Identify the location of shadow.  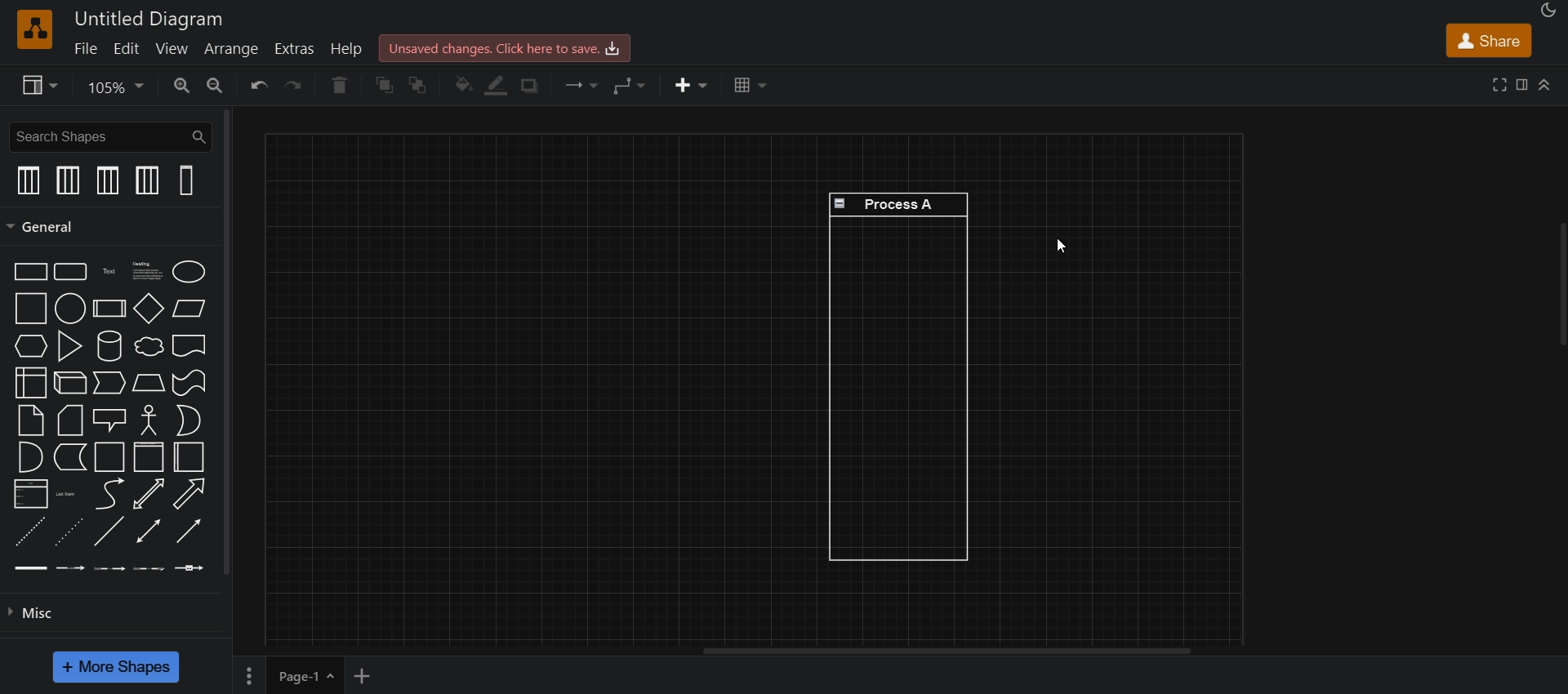
(536, 87).